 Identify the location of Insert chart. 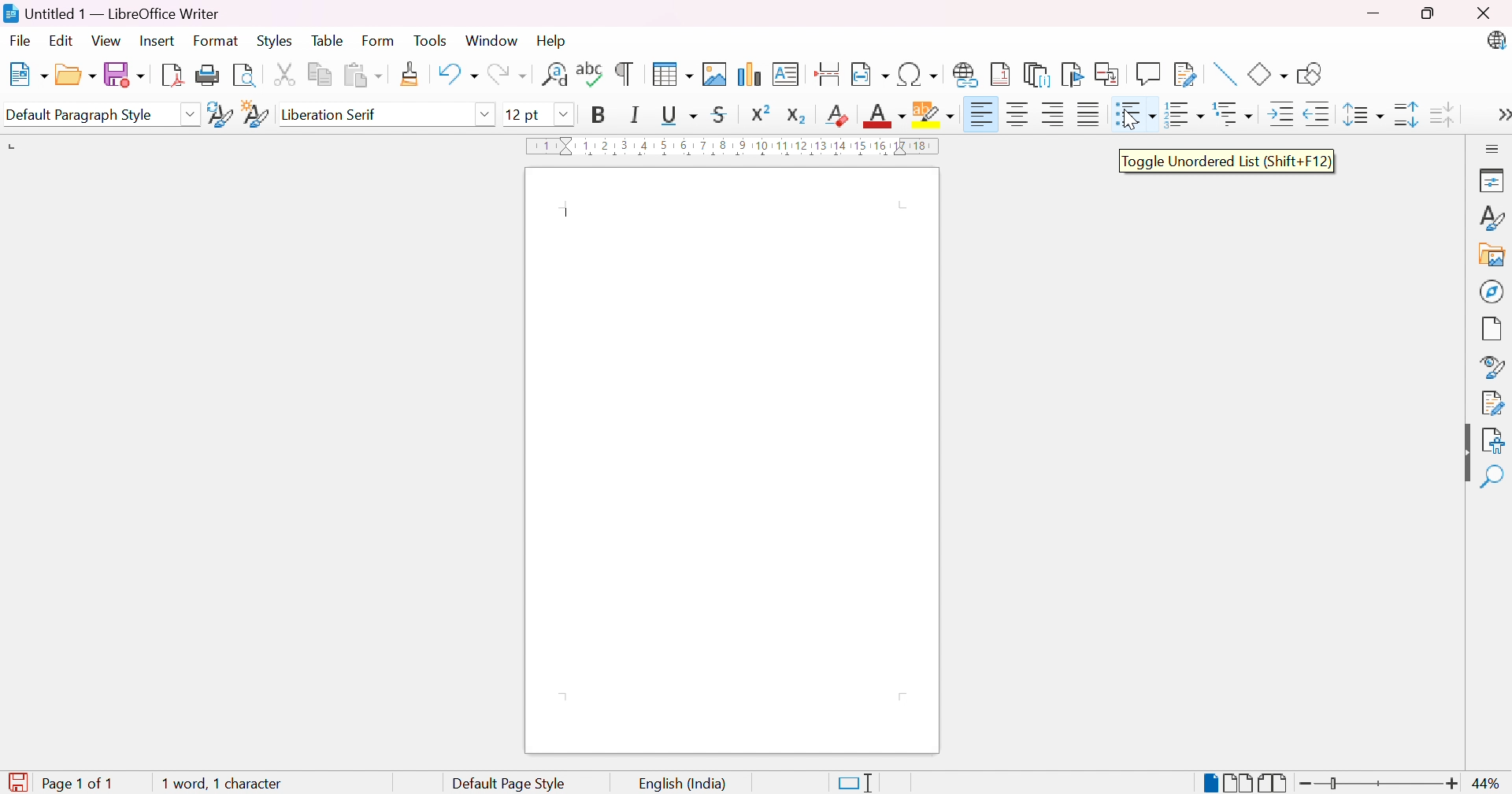
(750, 74).